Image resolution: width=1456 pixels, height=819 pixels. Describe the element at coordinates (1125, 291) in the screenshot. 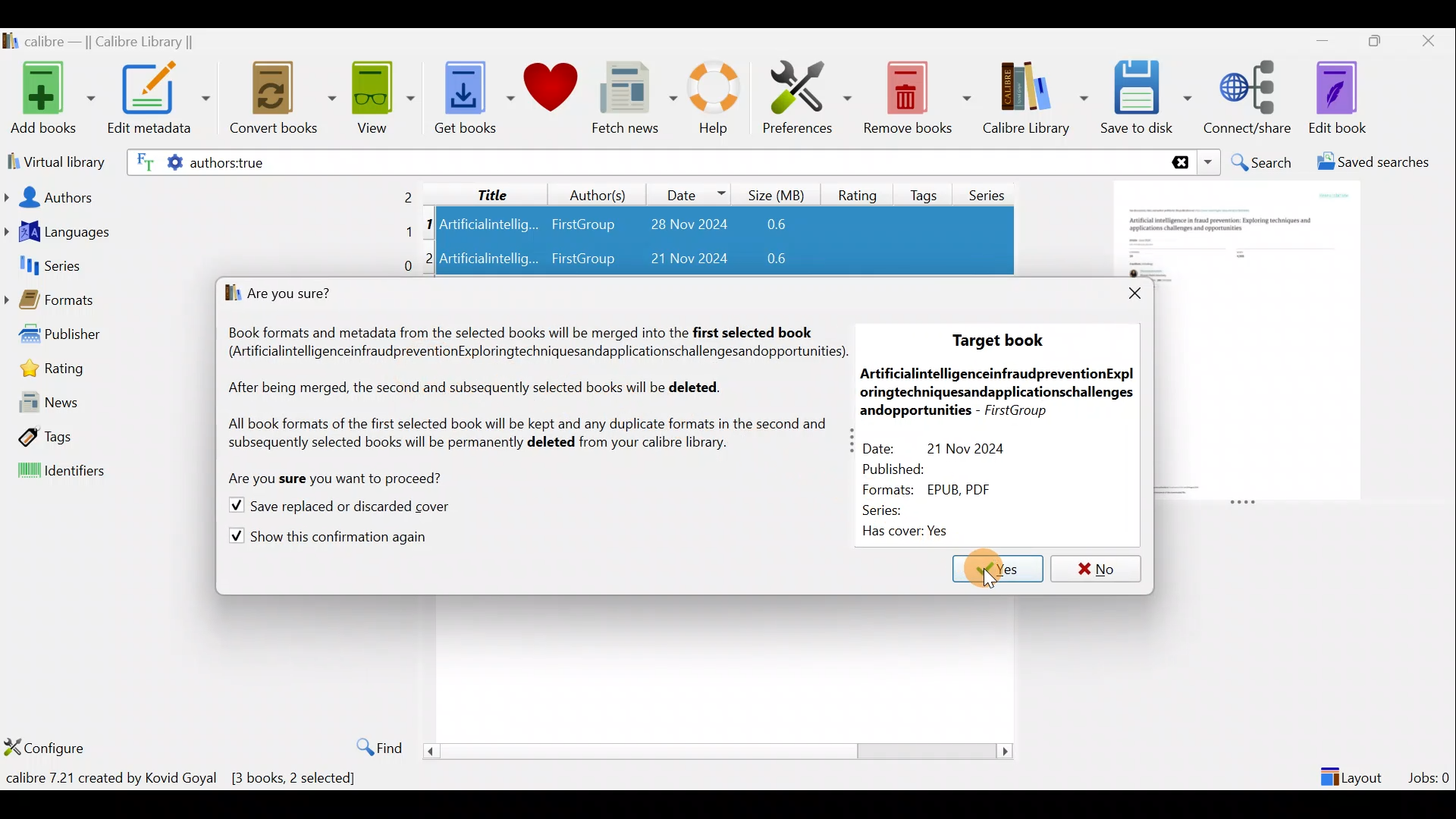

I see `Close` at that location.